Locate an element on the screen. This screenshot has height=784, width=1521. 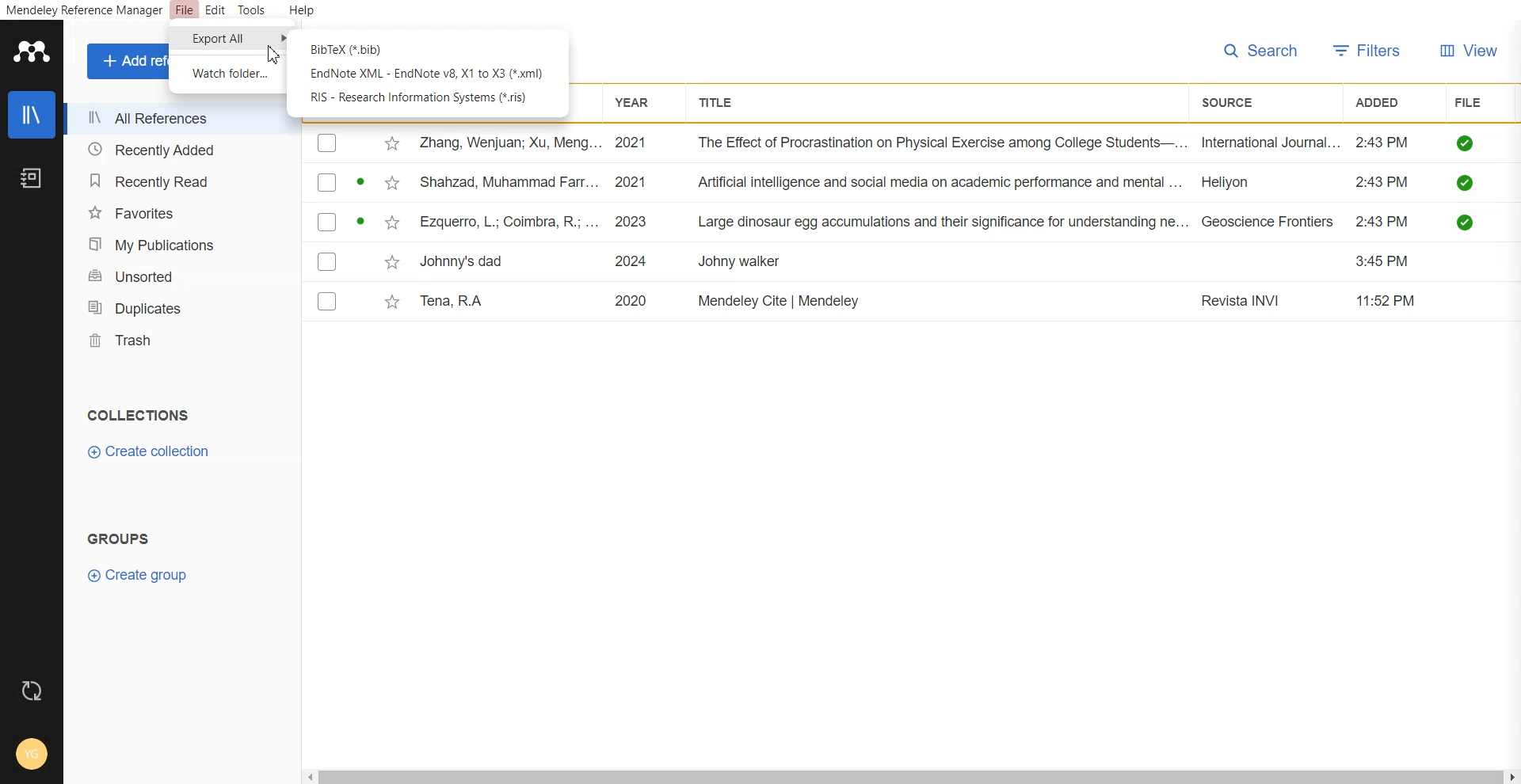
Mendeley Cite | Mendeley is located at coordinates (781, 300).